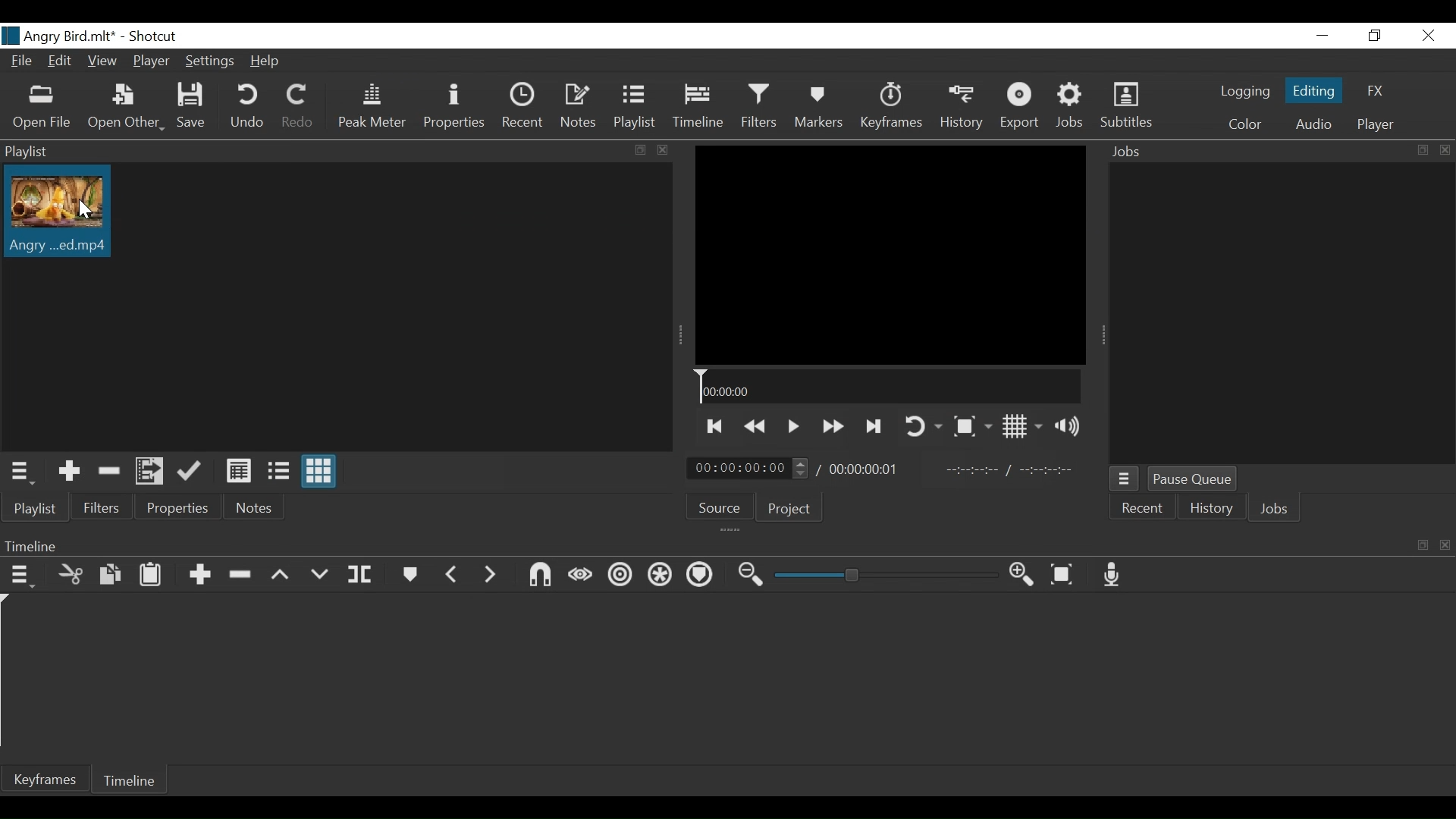 The image size is (1456, 819). I want to click on Skip to the next point, so click(712, 428).